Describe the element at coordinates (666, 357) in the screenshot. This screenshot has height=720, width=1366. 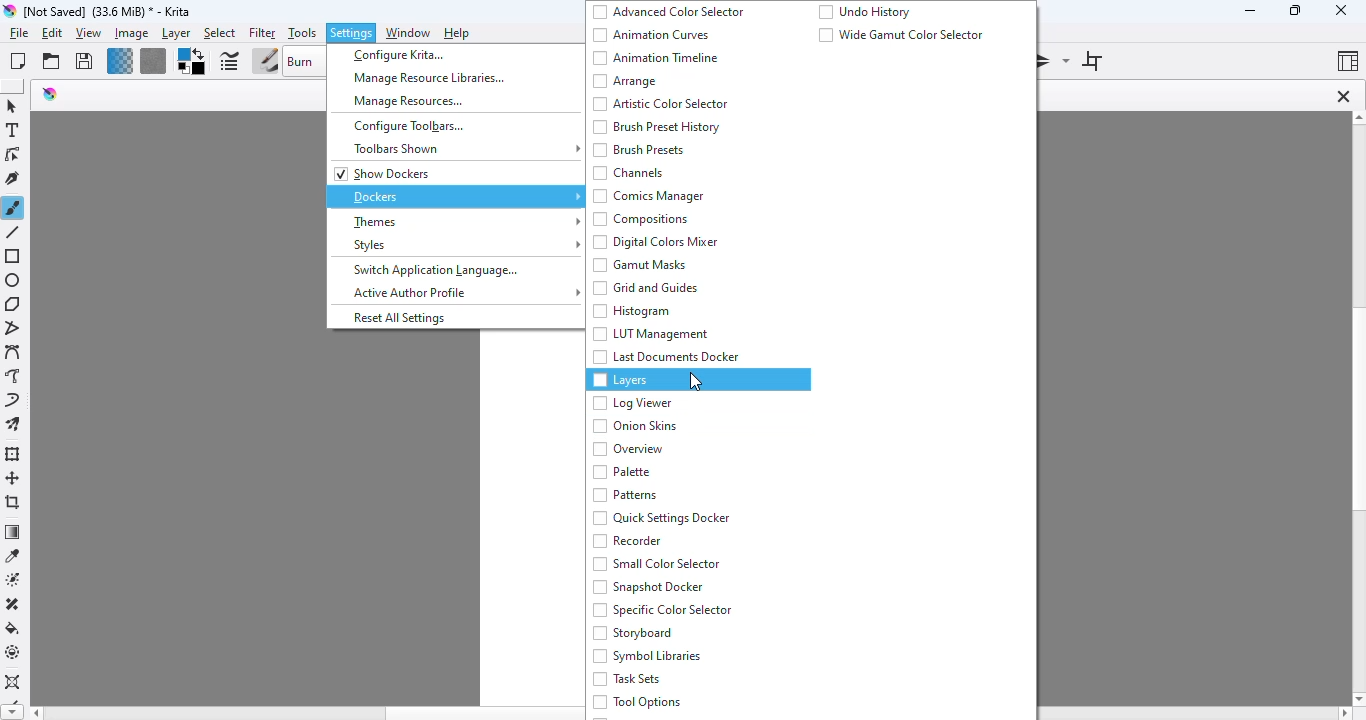
I see `last documents docker` at that location.